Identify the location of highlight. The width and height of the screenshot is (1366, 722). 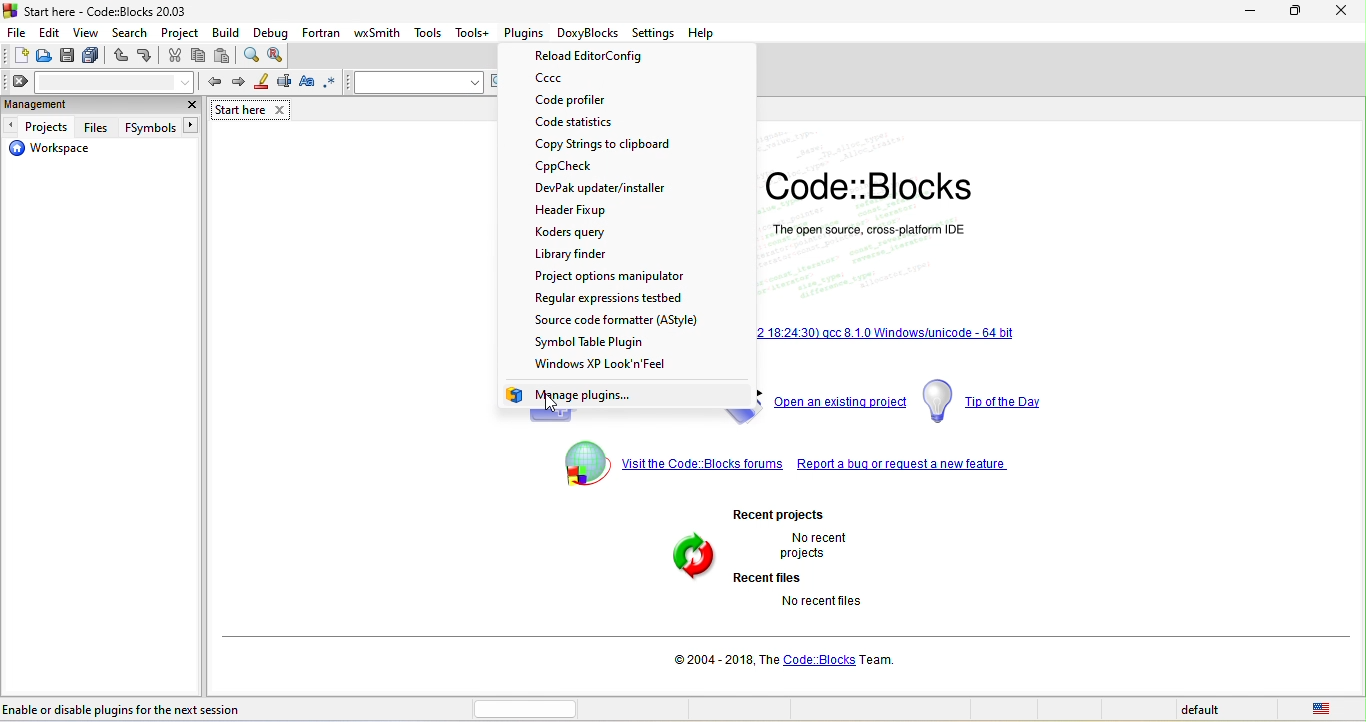
(259, 83).